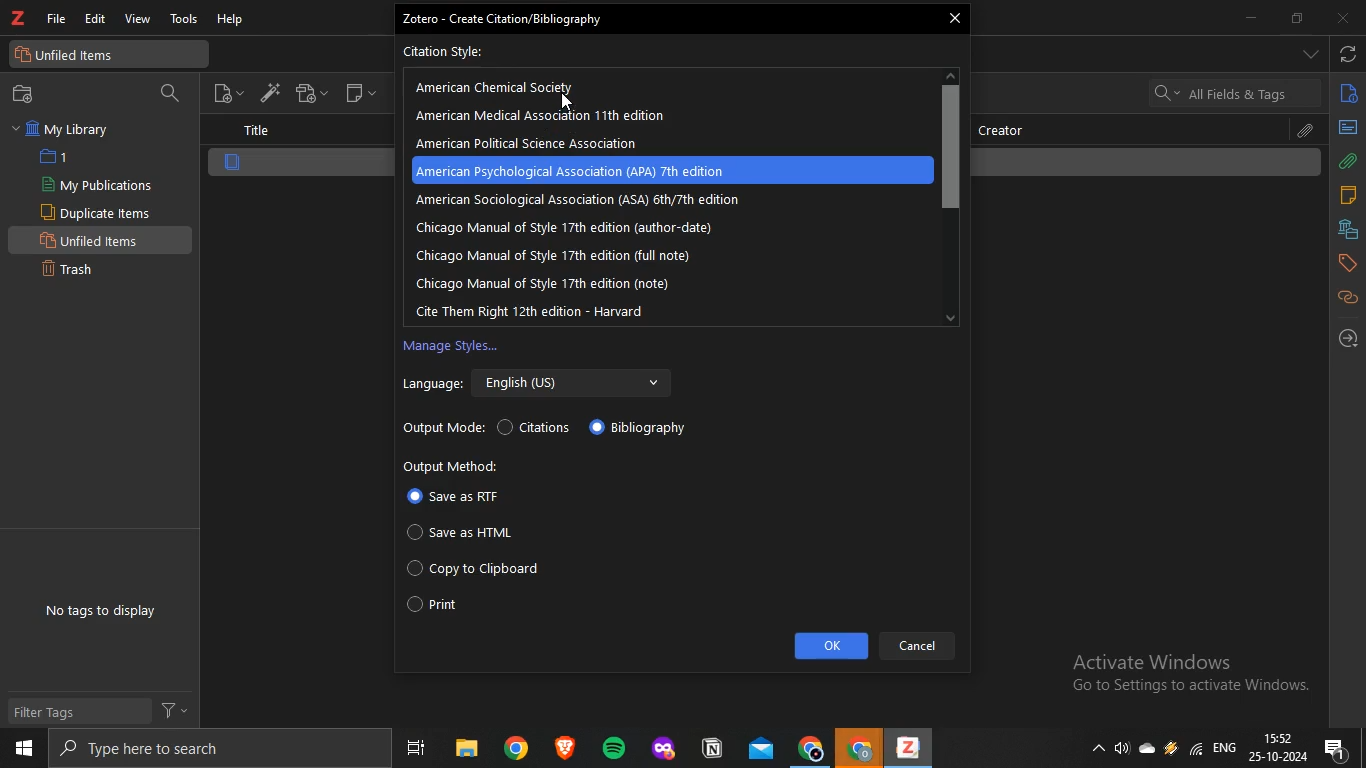  I want to click on locate, so click(1347, 338).